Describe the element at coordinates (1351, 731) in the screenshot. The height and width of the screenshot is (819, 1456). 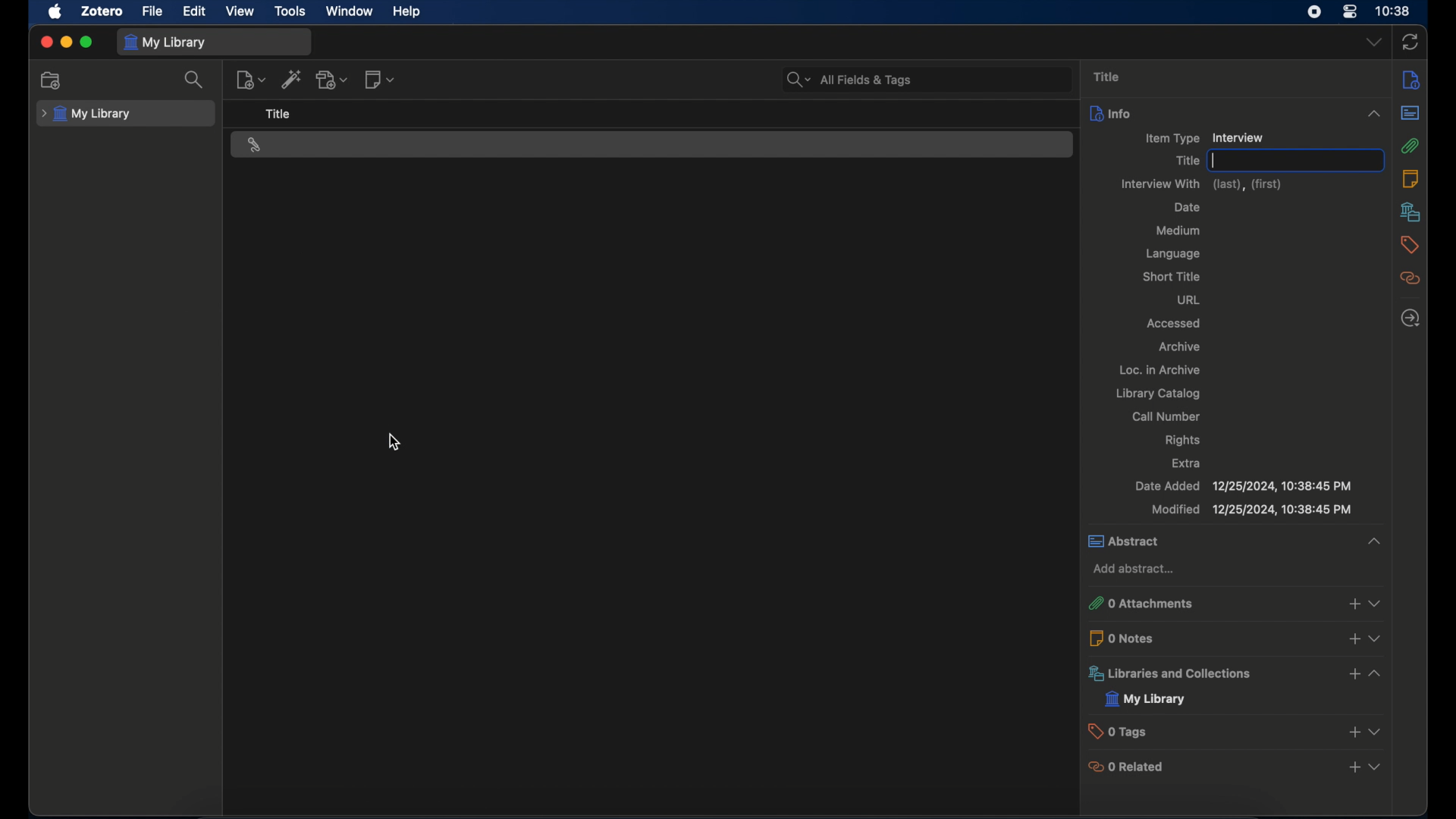
I see `add` at that location.